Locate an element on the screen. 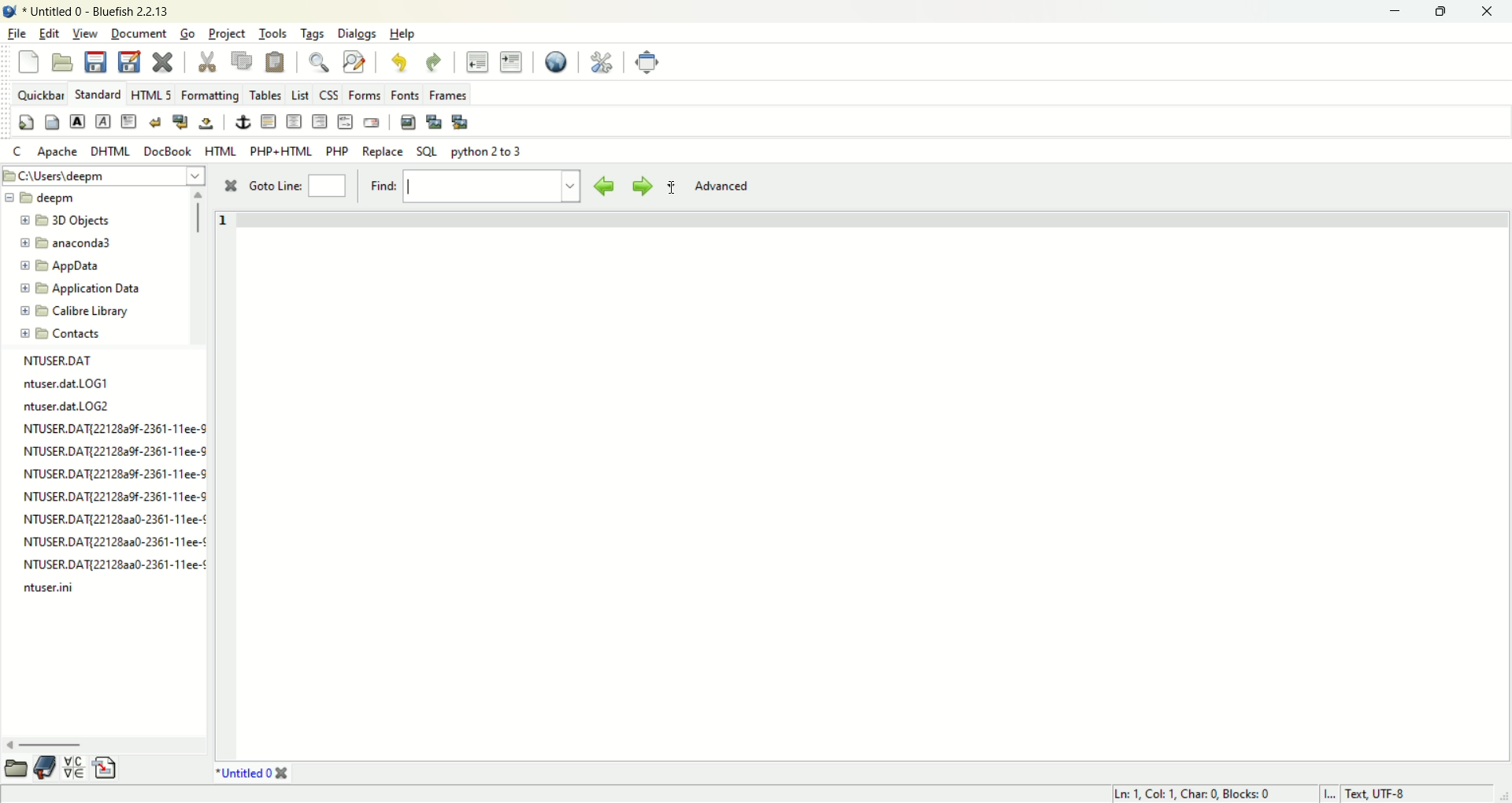  fonts is located at coordinates (406, 93).